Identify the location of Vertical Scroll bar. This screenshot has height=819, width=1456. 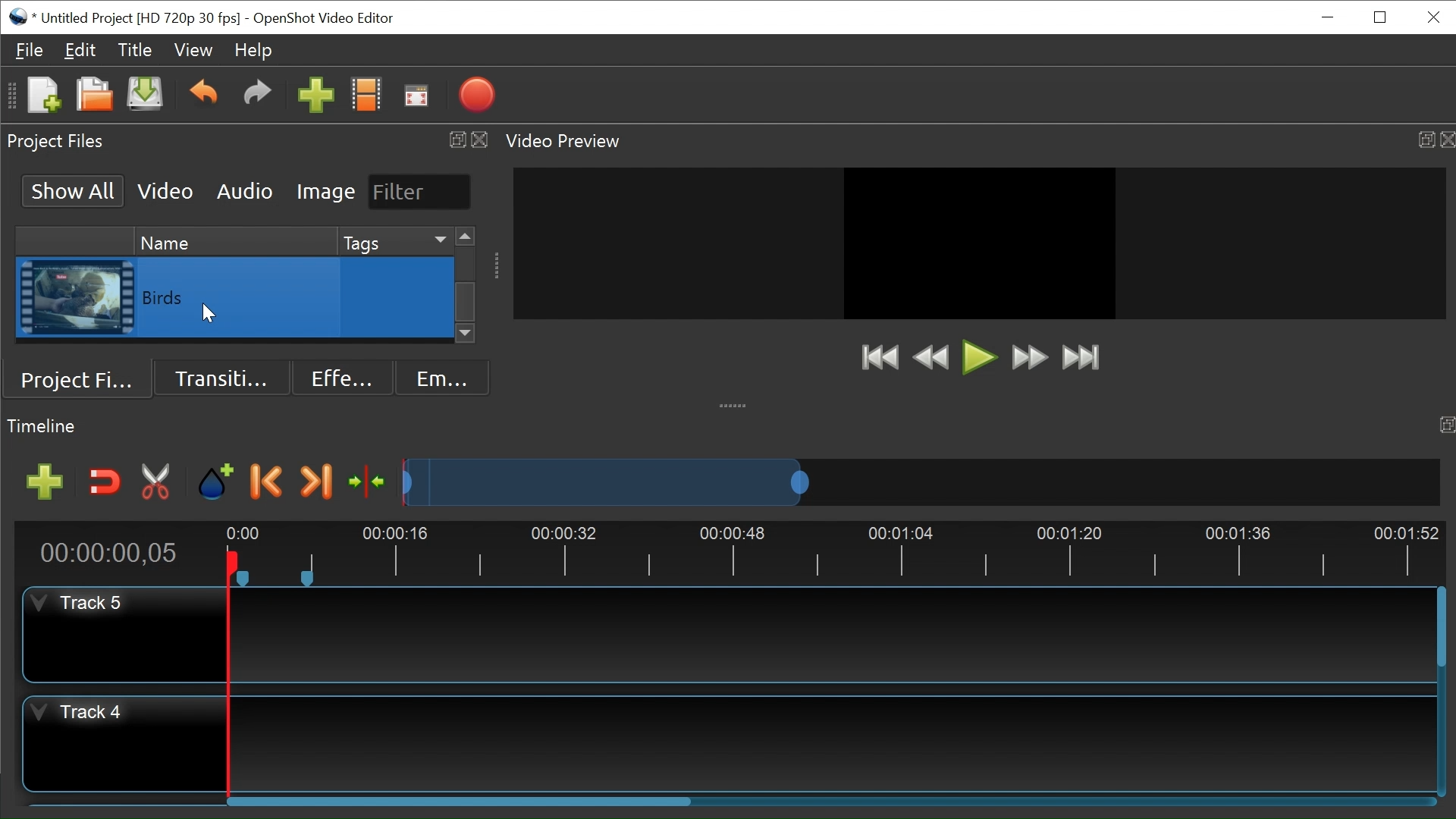
(466, 301).